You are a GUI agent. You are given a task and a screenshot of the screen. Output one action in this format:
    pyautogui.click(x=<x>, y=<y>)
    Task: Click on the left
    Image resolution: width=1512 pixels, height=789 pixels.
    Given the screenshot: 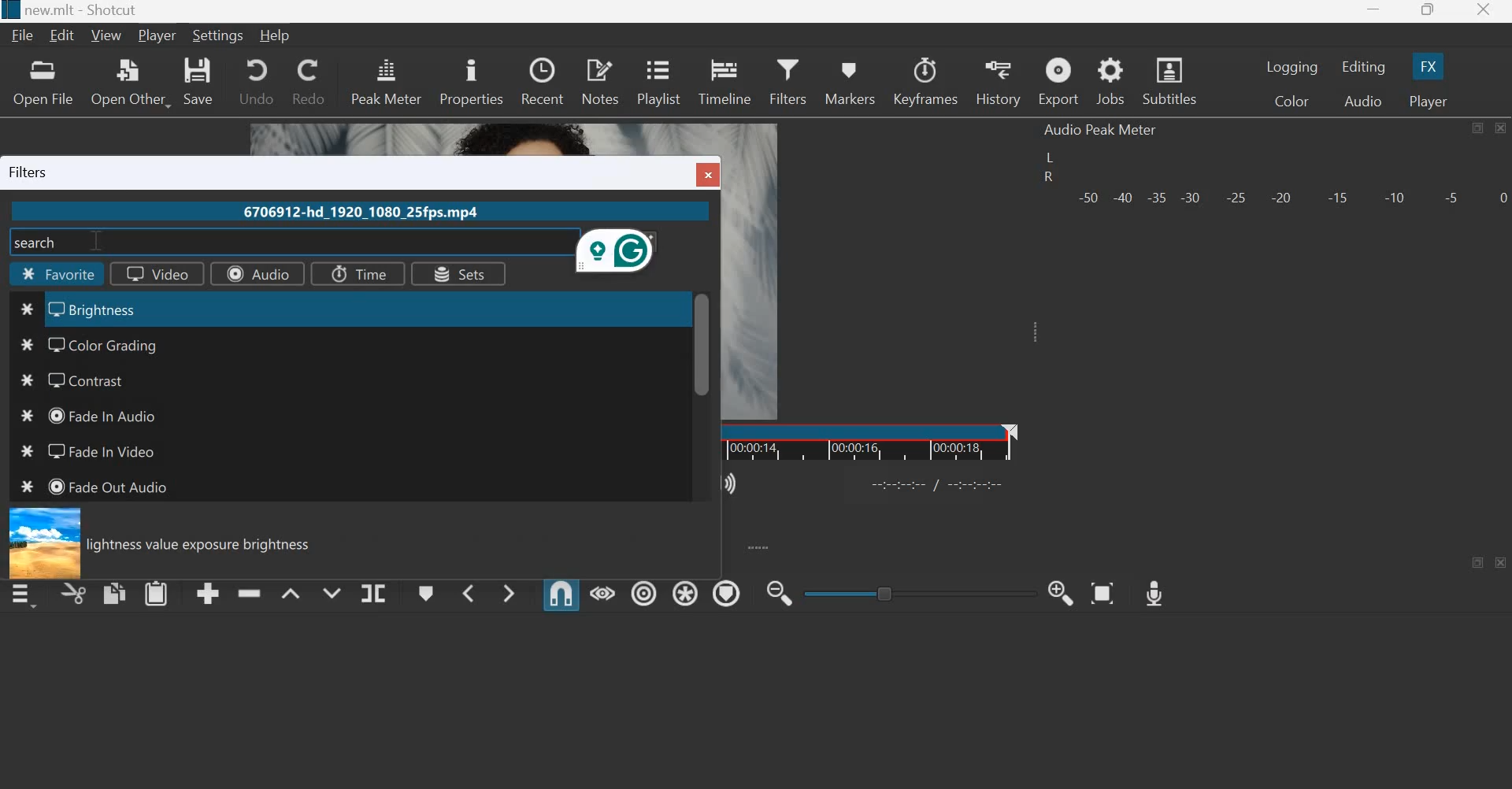 What is the action you would take?
    pyautogui.click(x=1052, y=157)
    